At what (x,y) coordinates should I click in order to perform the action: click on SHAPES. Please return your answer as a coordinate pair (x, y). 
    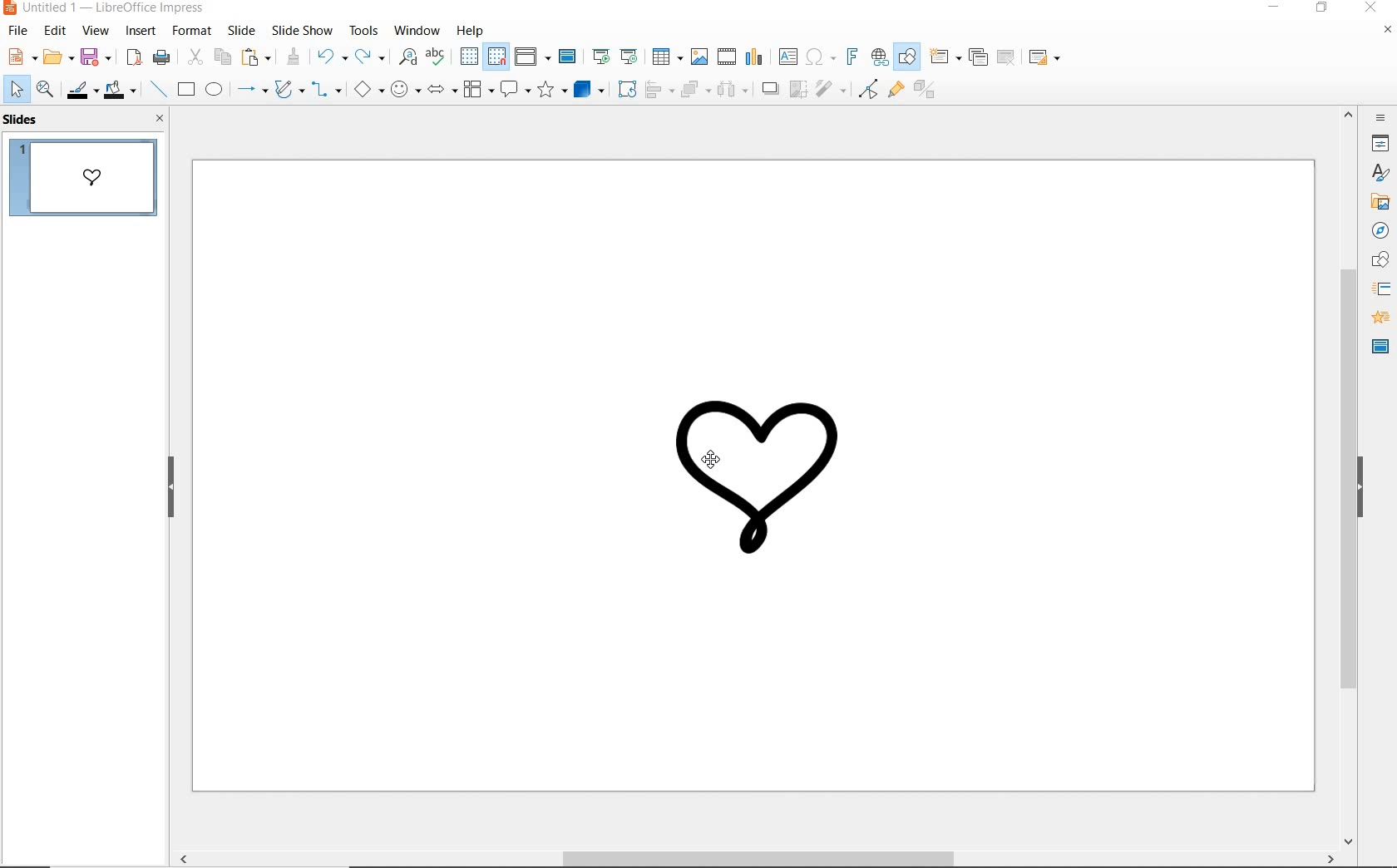
    Looking at the image, I should click on (1382, 261).